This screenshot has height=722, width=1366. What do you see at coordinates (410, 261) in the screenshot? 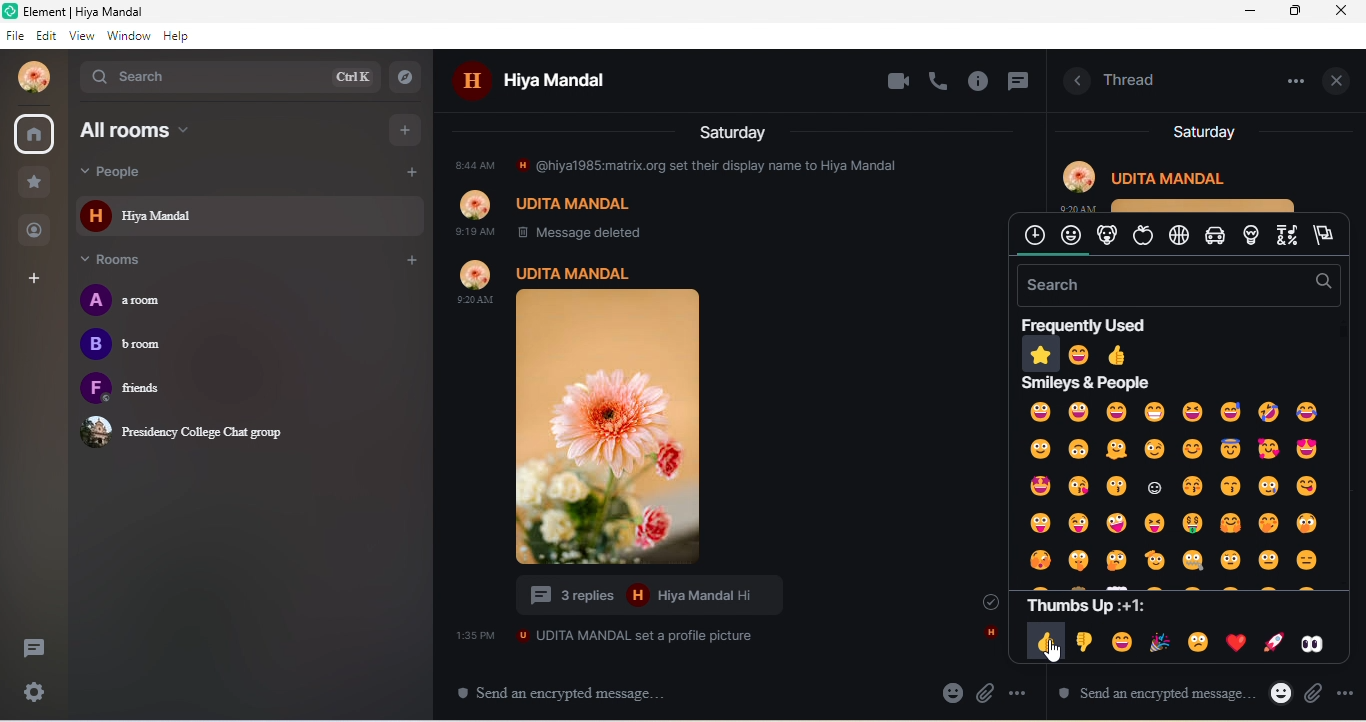
I see `add` at bounding box center [410, 261].